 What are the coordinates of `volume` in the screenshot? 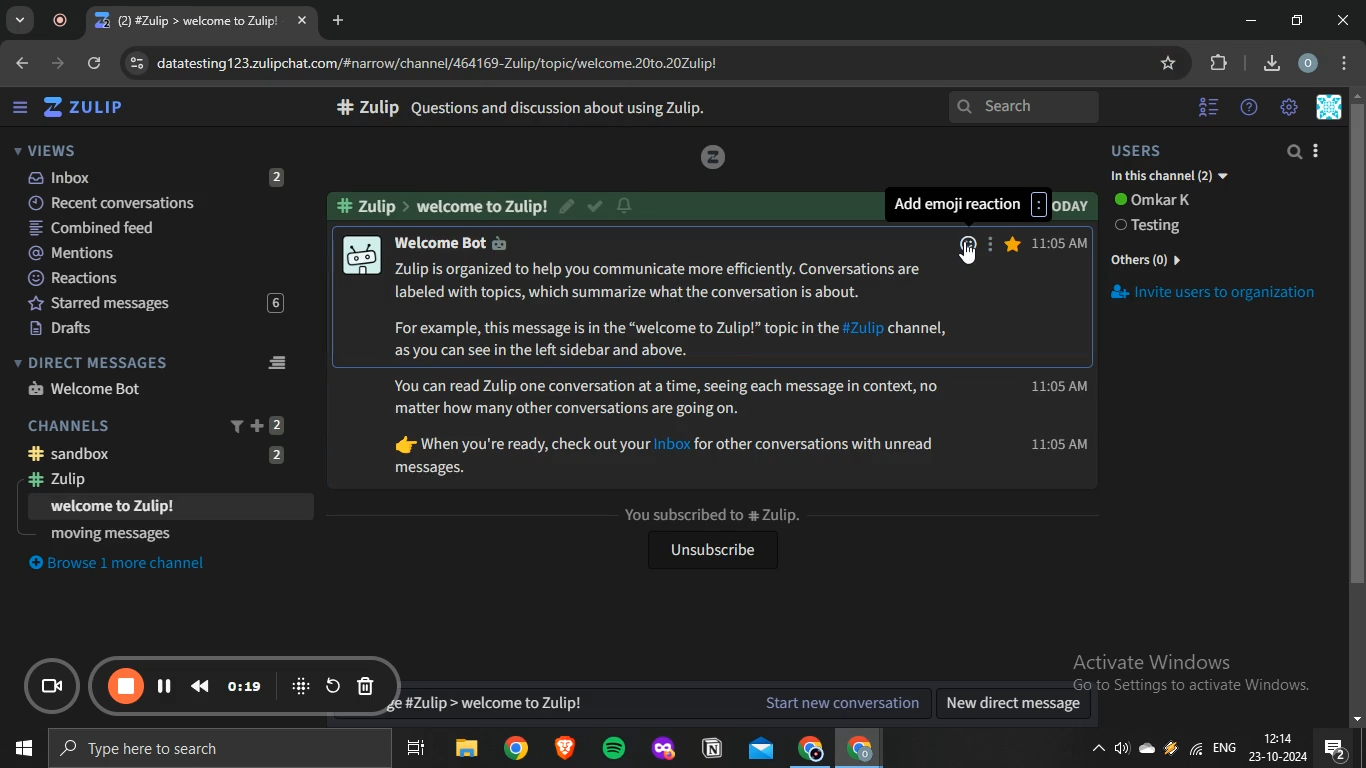 It's located at (1123, 752).